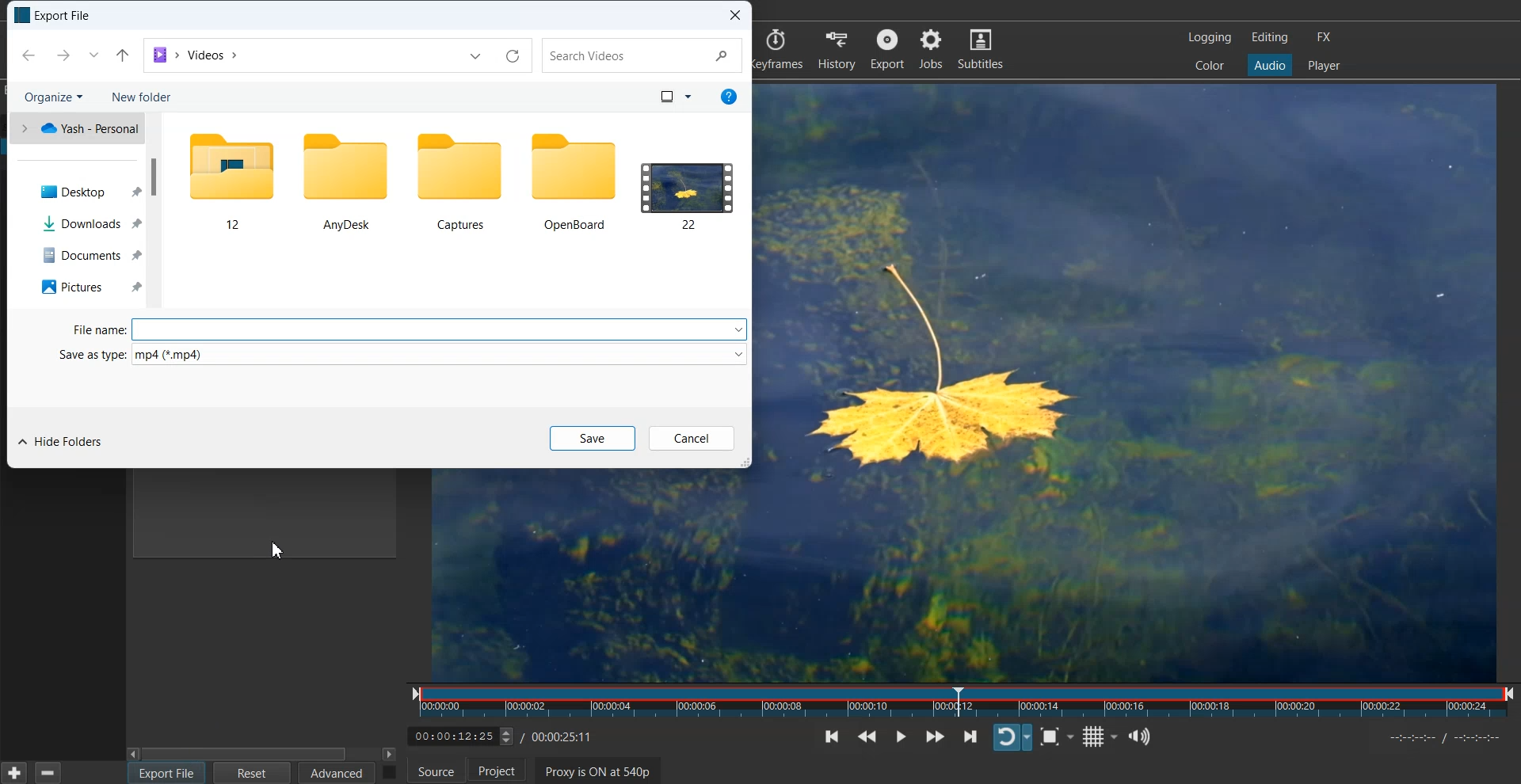 This screenshot has width=1521, height=784. What do you see at coordinates (889, 48) in the screenshot?
I see `Export` at bounding box center [889, 48].